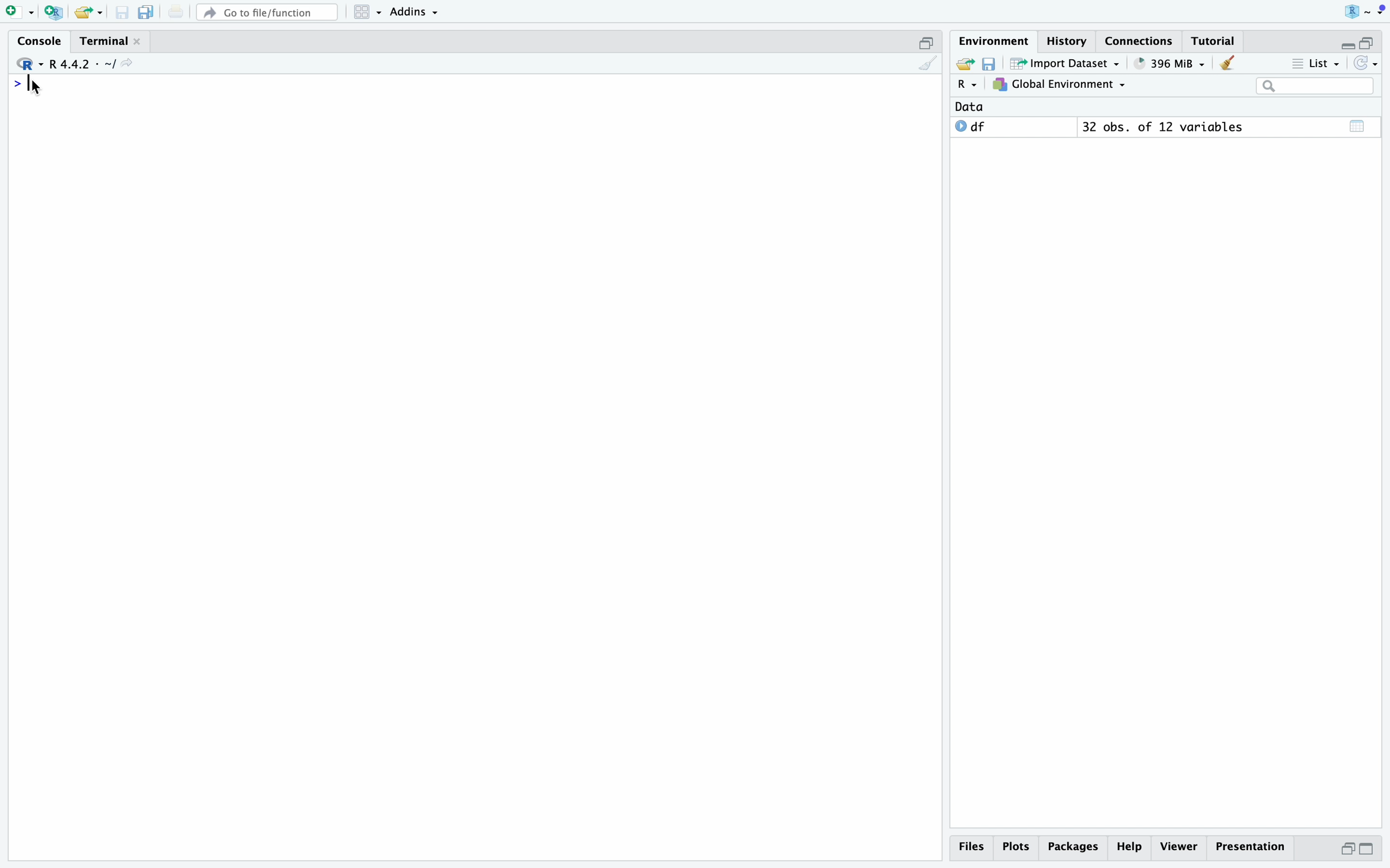  I want to click on Environment , so click(996, 41).